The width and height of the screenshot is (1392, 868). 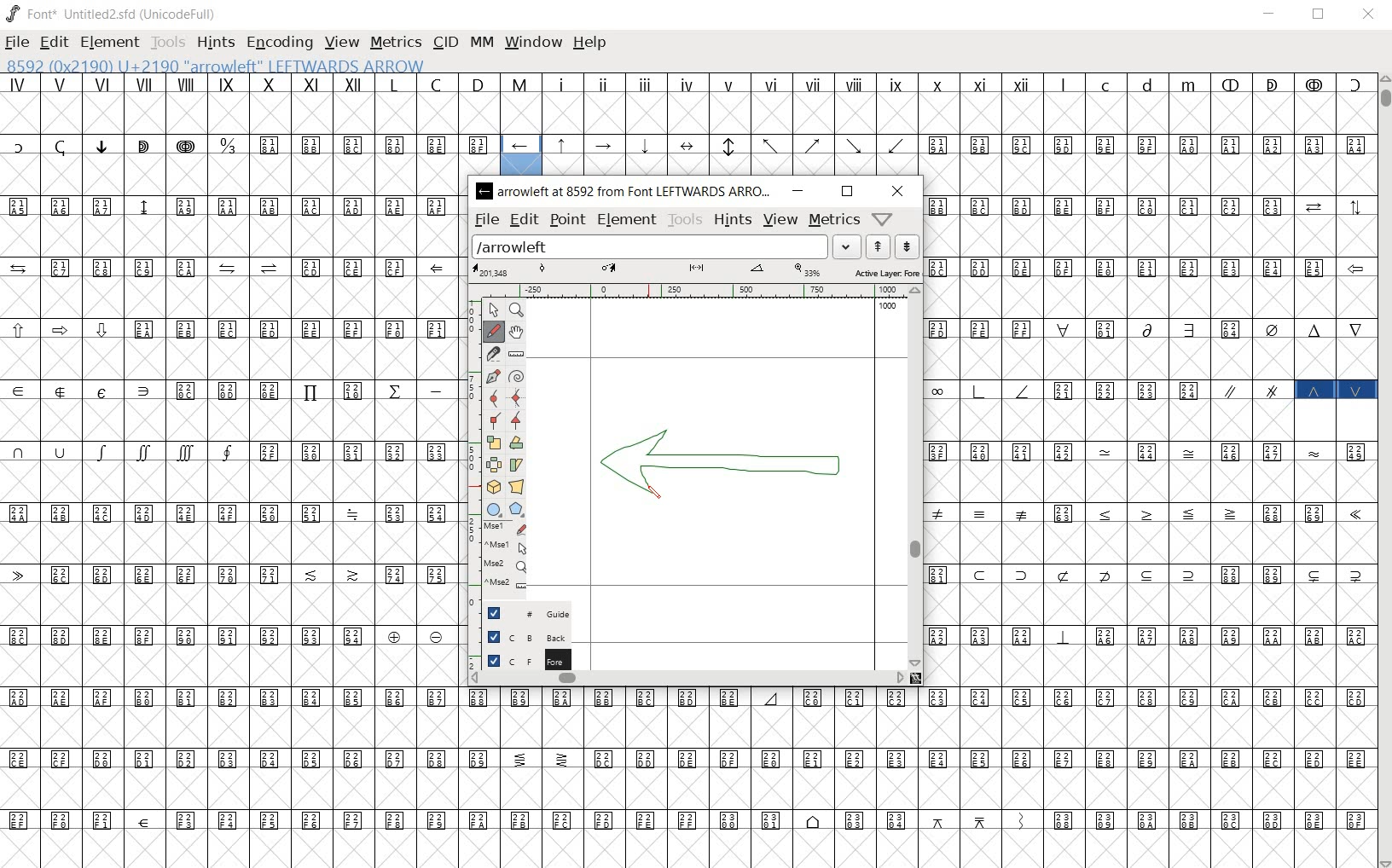 What do you see at coordinates (482, 42) in the screenshot?
I see `mm` at bounding box center [482, 42].